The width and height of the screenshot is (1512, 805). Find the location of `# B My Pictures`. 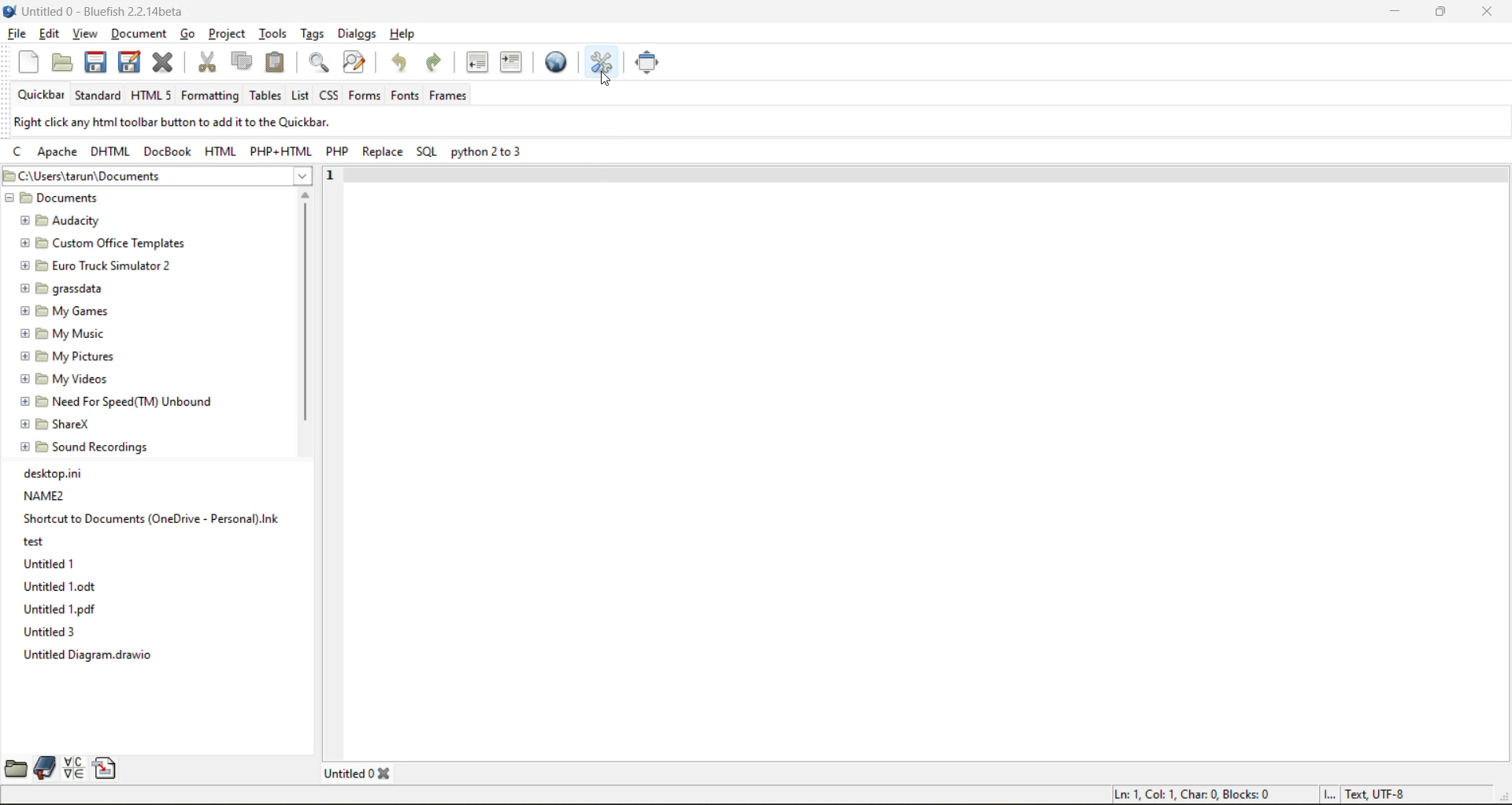

# B My Pictures is located at coordinates (69, 355).